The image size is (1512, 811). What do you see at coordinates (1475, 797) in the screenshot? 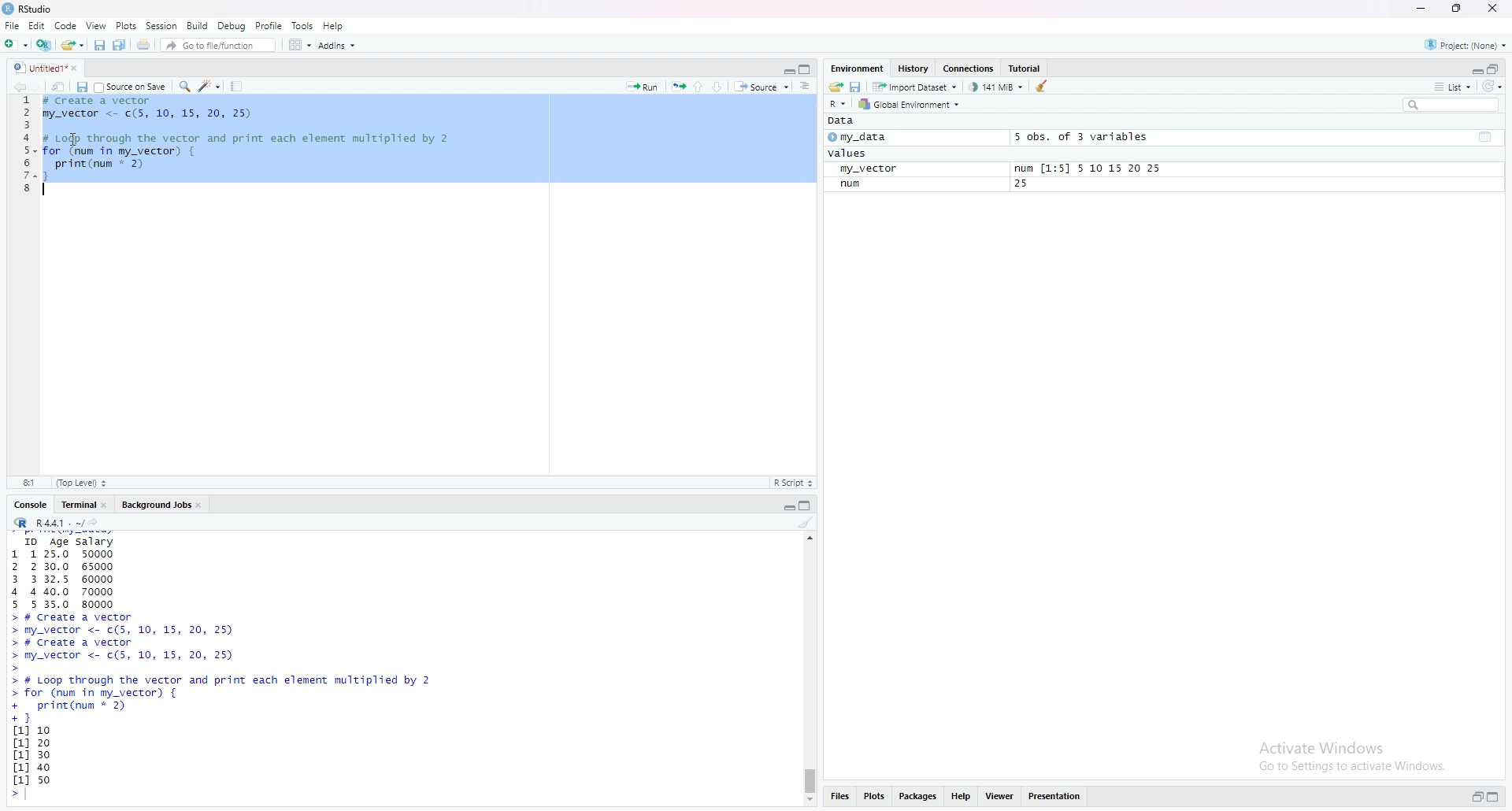
I see `expand` at bounding box center [1475, 797].